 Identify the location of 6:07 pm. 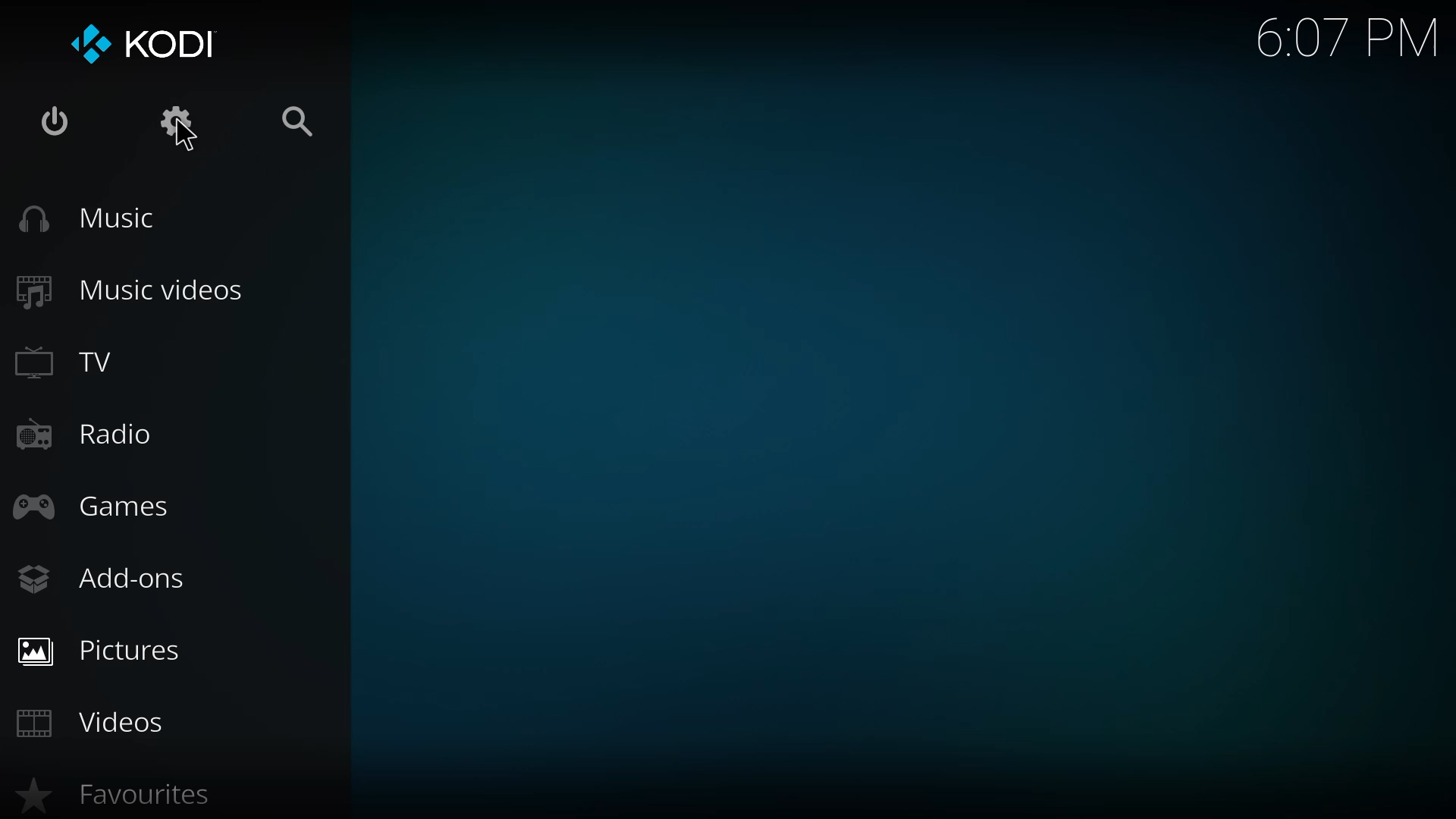
(1348, 43).